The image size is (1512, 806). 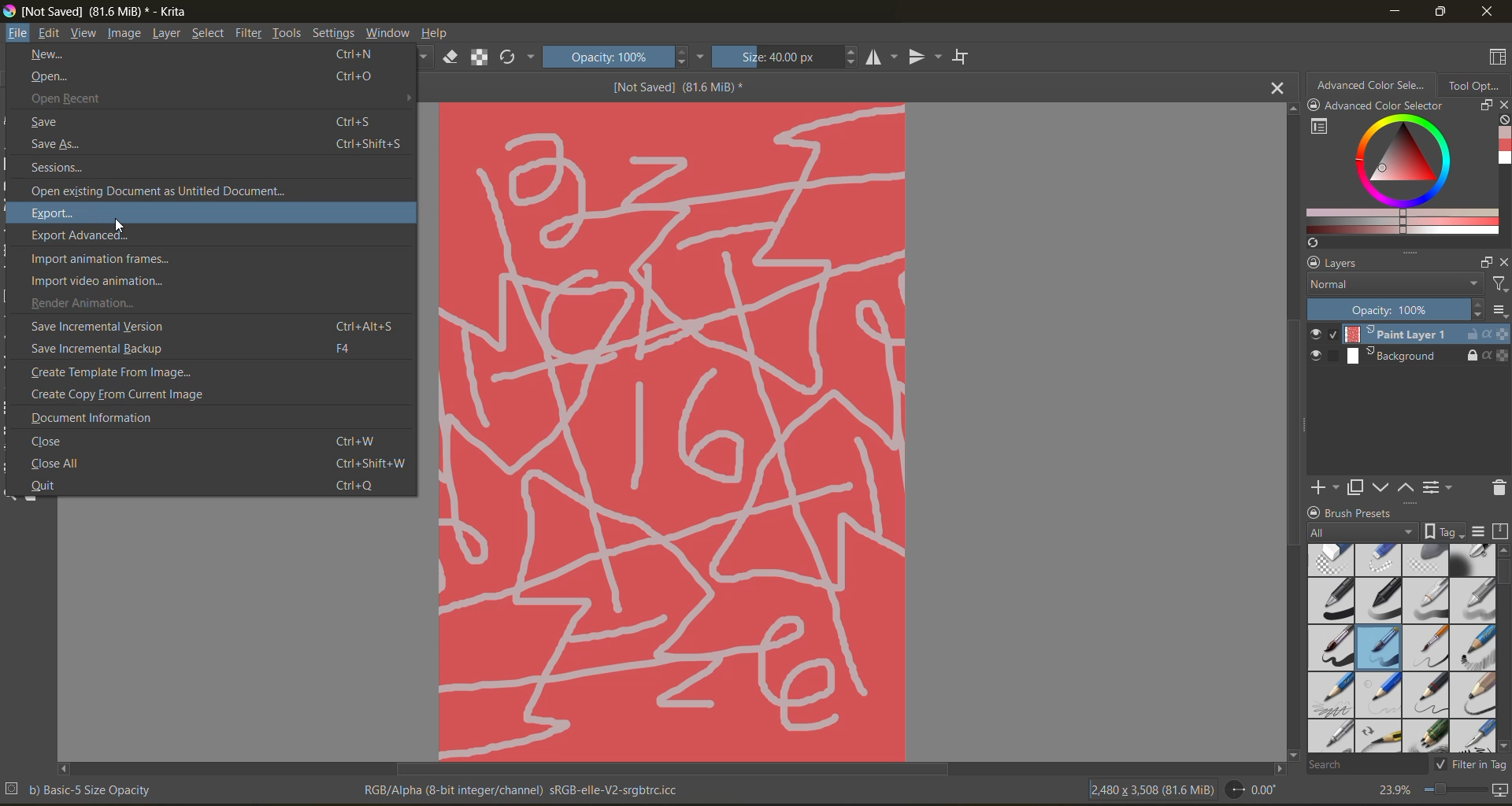 I want to click on create copy from current image, so click(x=124, y=394).